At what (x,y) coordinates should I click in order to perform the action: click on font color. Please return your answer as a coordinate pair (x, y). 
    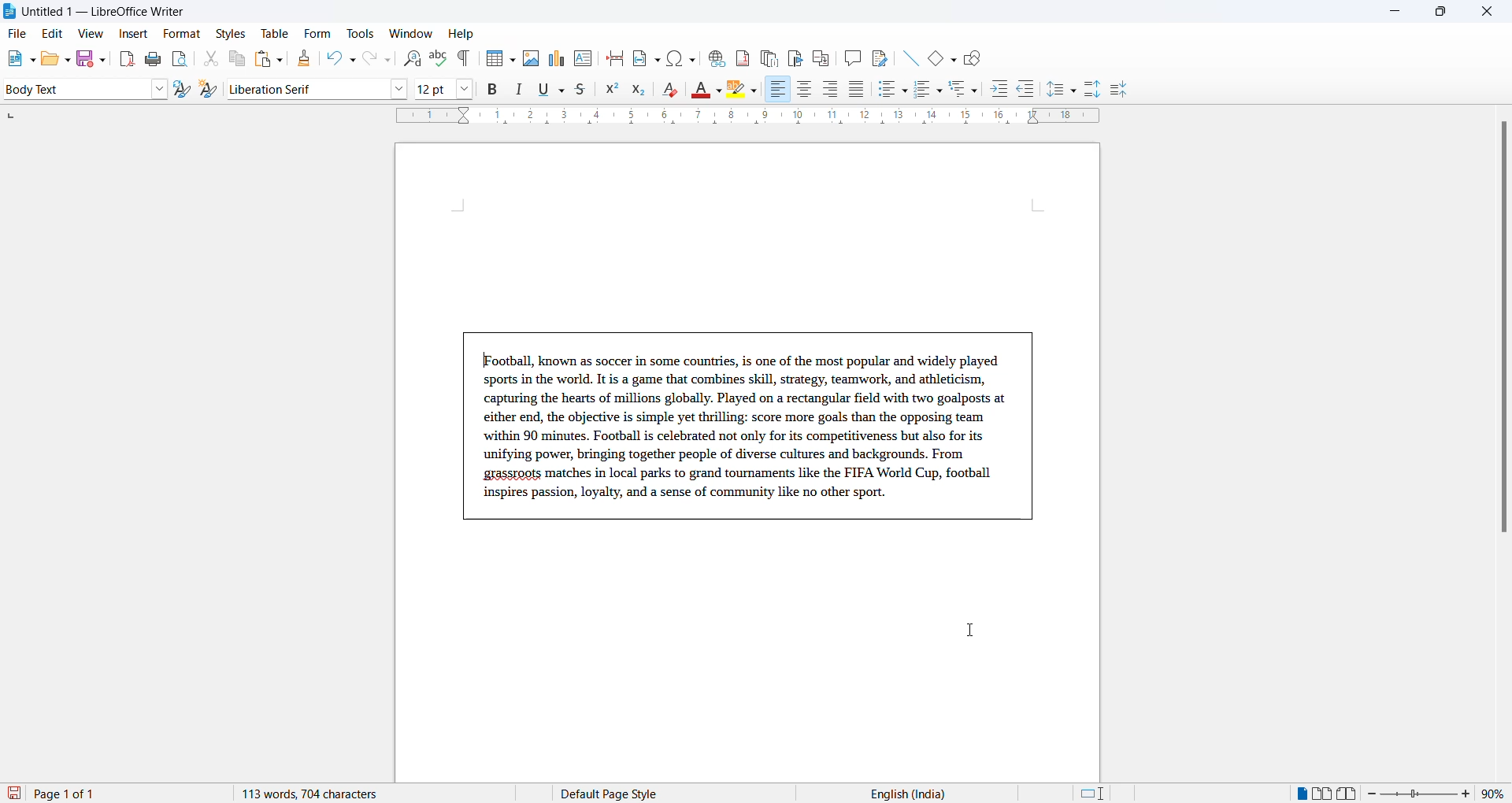
    Looking at the image, I should click on (708, 91).